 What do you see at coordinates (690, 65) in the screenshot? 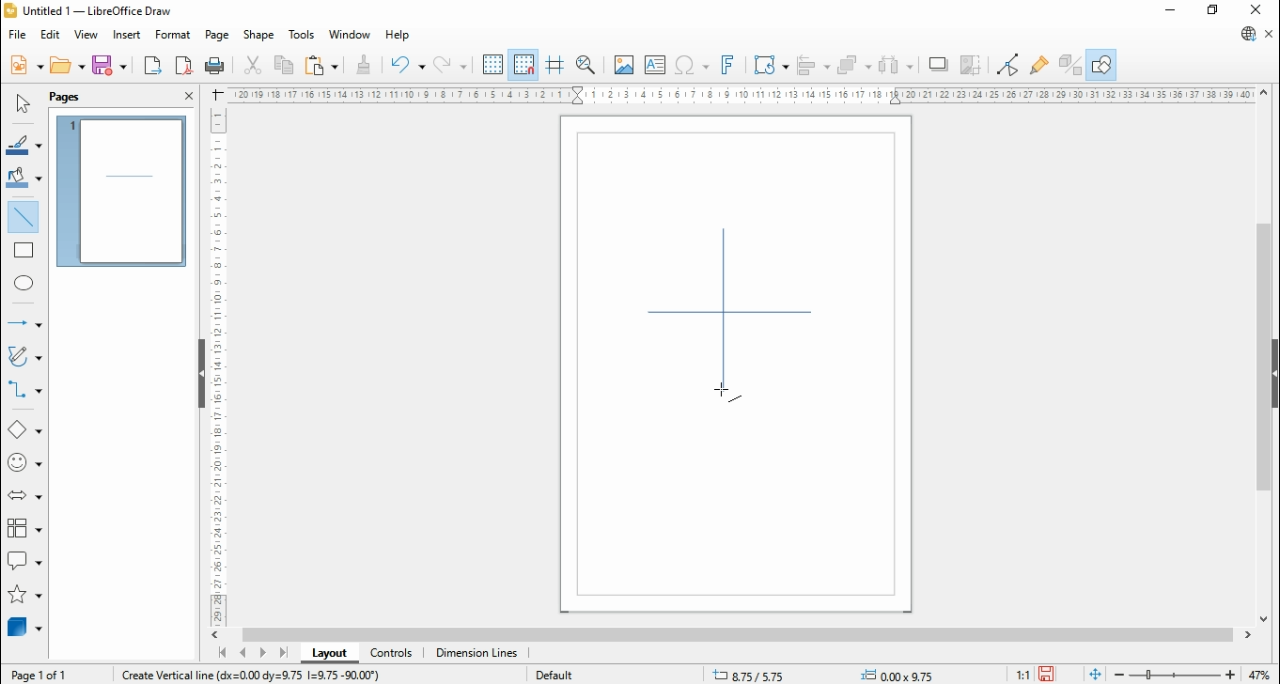
I see `insert special character` at bounding box center [690, 65].